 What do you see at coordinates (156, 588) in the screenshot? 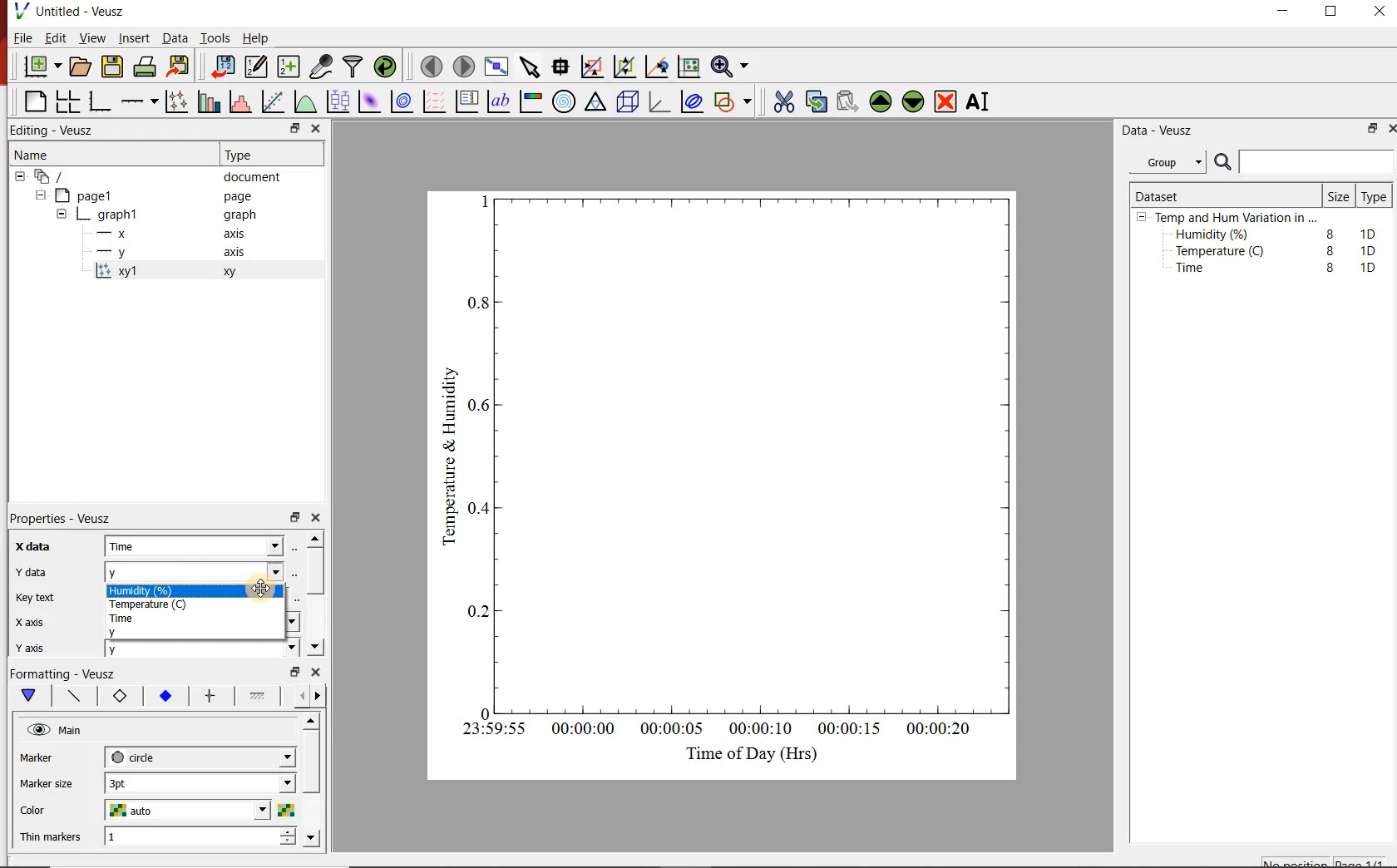
I see `Humidity (%)` at bounding box center [156, 588].